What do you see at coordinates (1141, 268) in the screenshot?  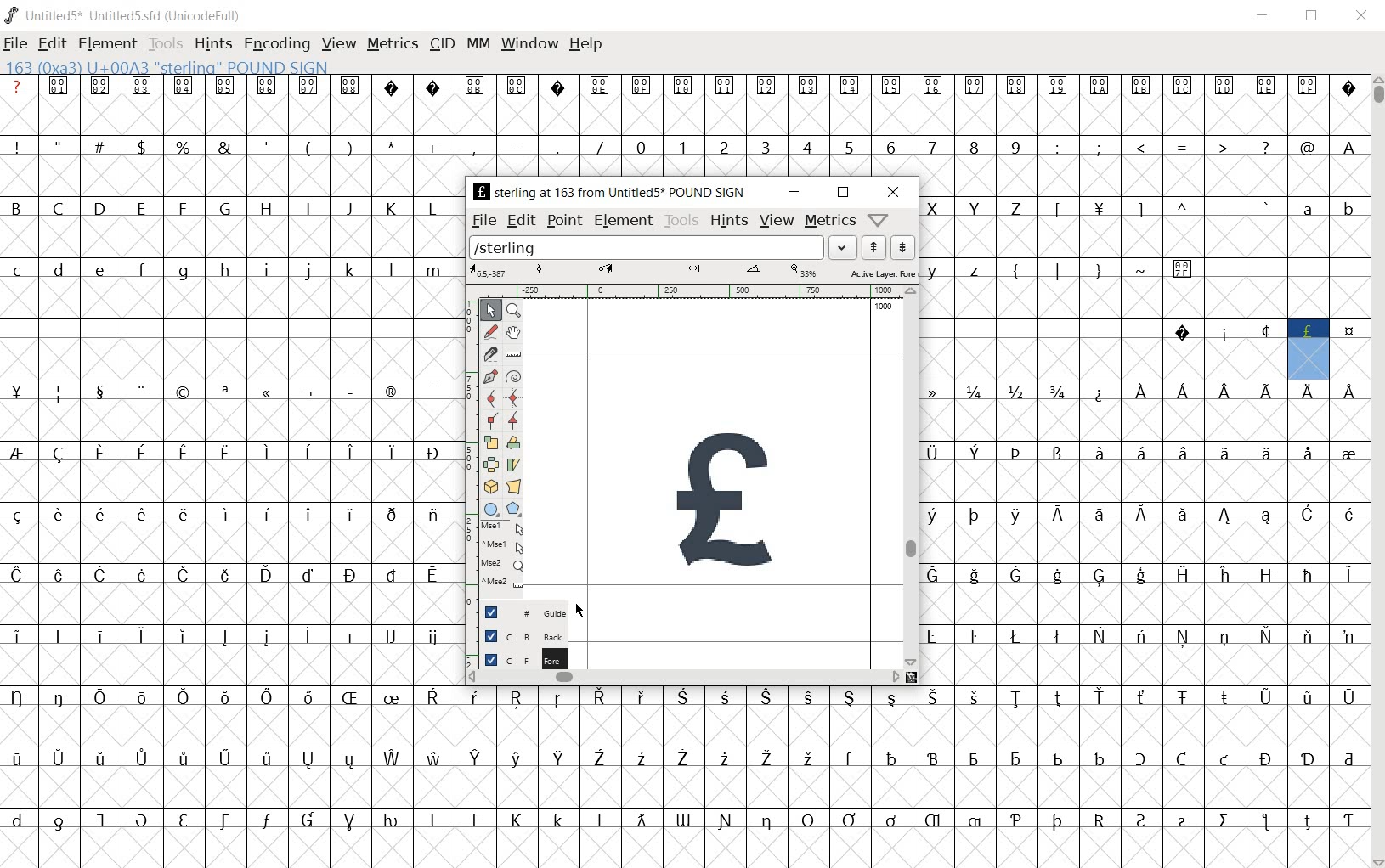 I see `~` at bounding box center [1141, 268].